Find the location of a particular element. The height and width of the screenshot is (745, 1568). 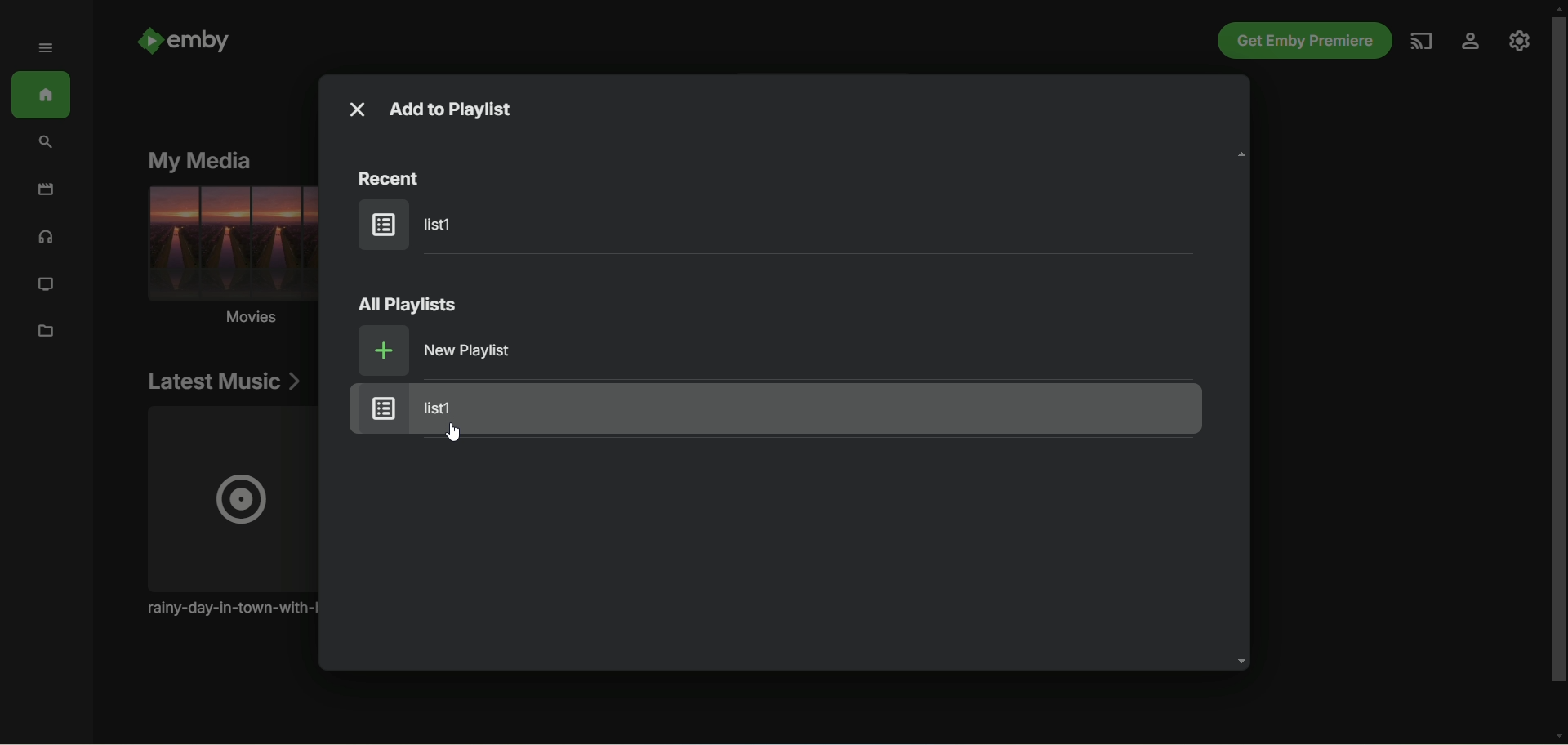

vertical scroll bar is located at coordinates (1558, 374).